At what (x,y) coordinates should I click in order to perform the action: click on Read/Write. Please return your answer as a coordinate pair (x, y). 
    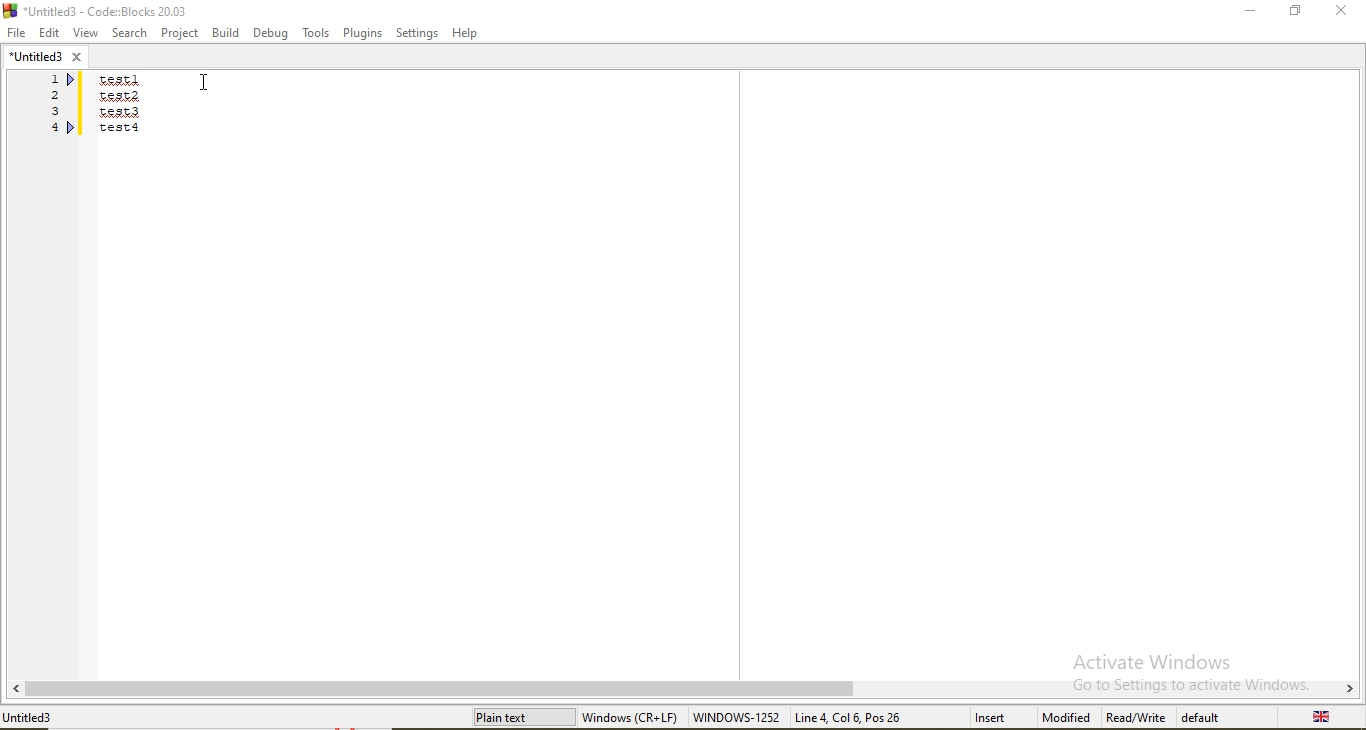
    Looking at the image, I should click on (1138, 717).